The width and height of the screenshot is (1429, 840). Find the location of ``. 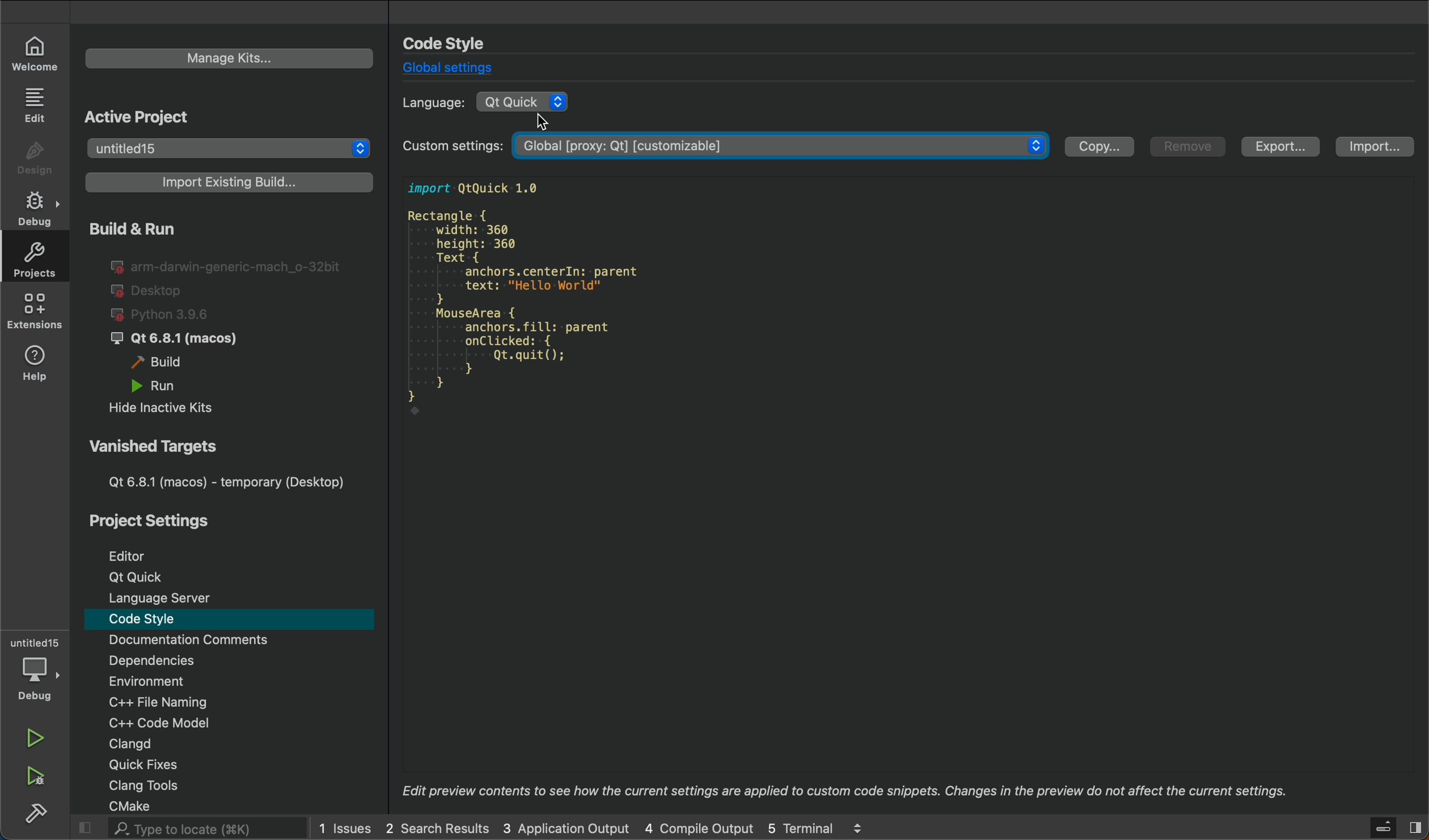

 is located at coordinates (852, 789).